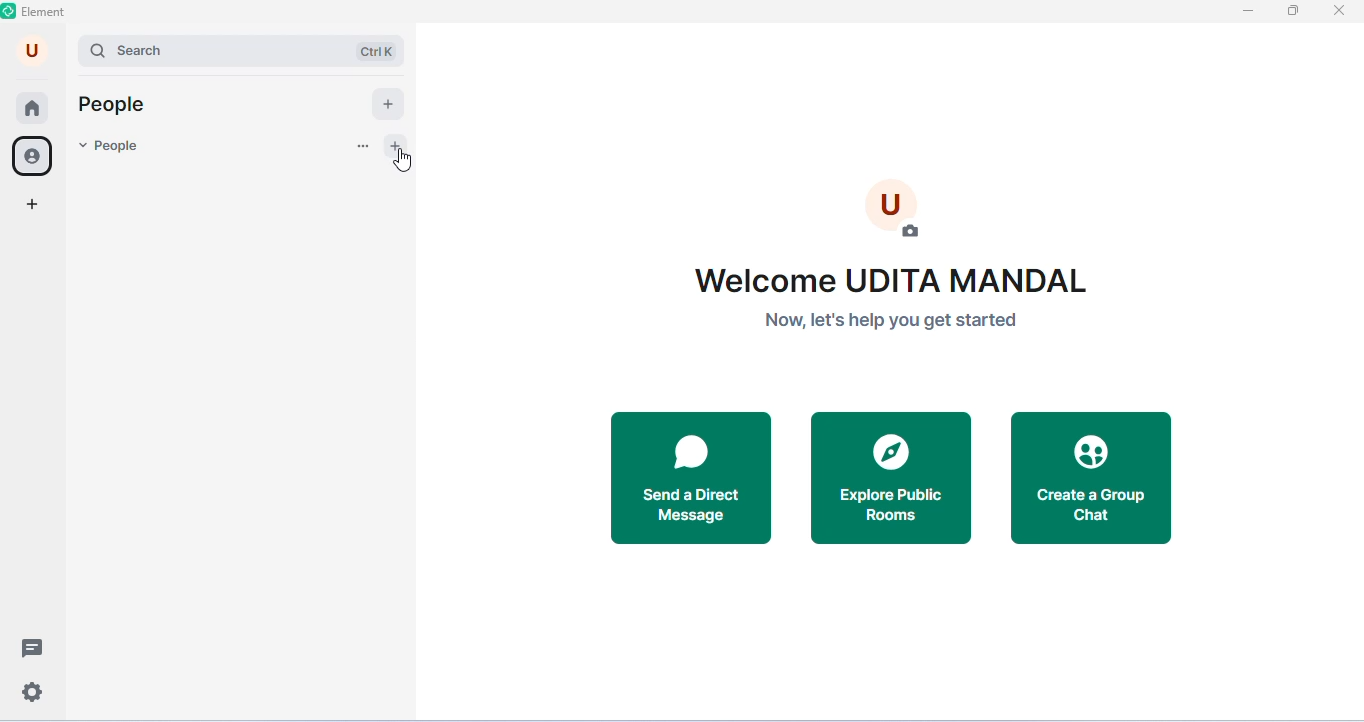  I want to click on close, so click(1338, 11).